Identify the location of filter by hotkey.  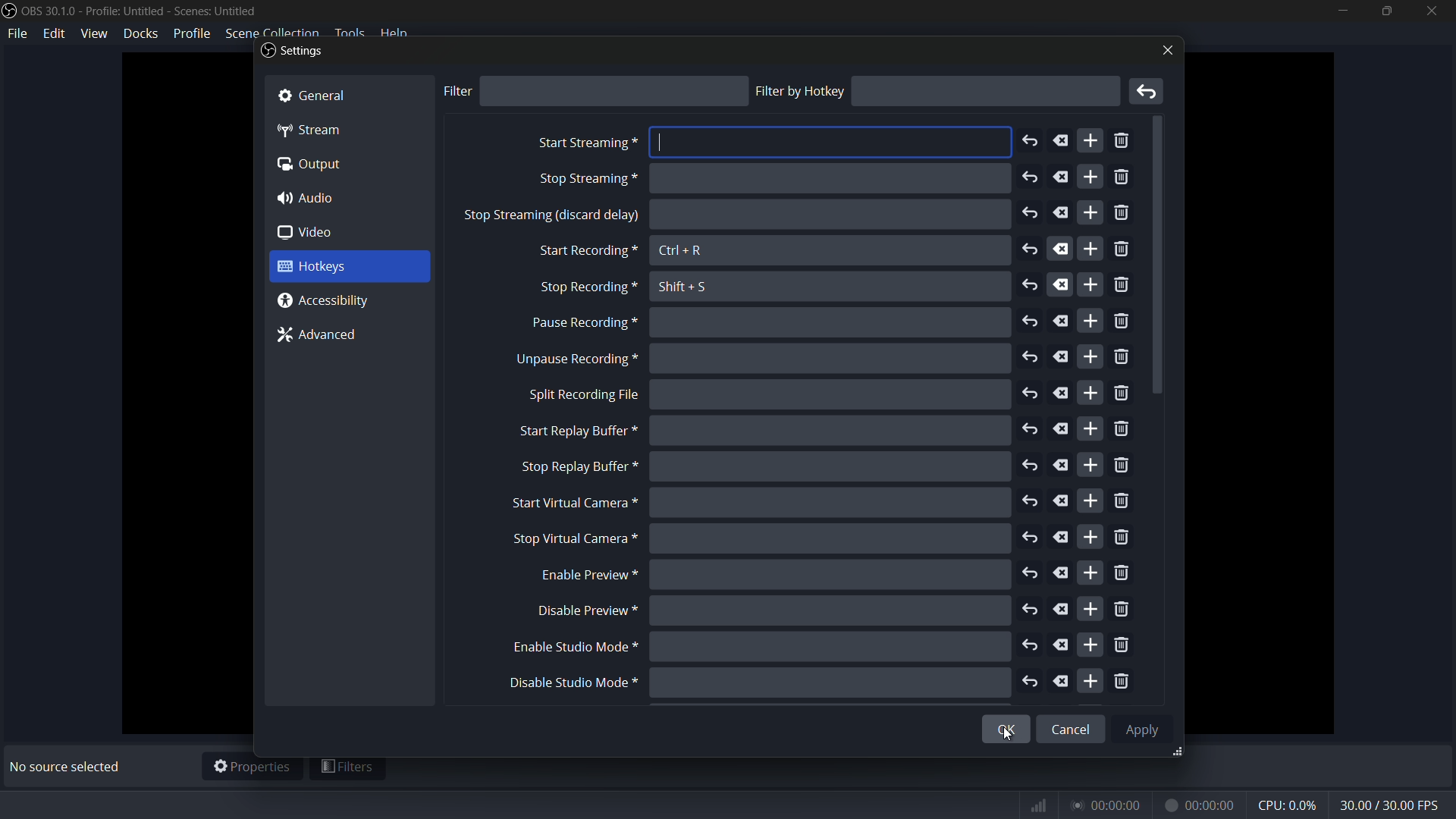
(800, 91).